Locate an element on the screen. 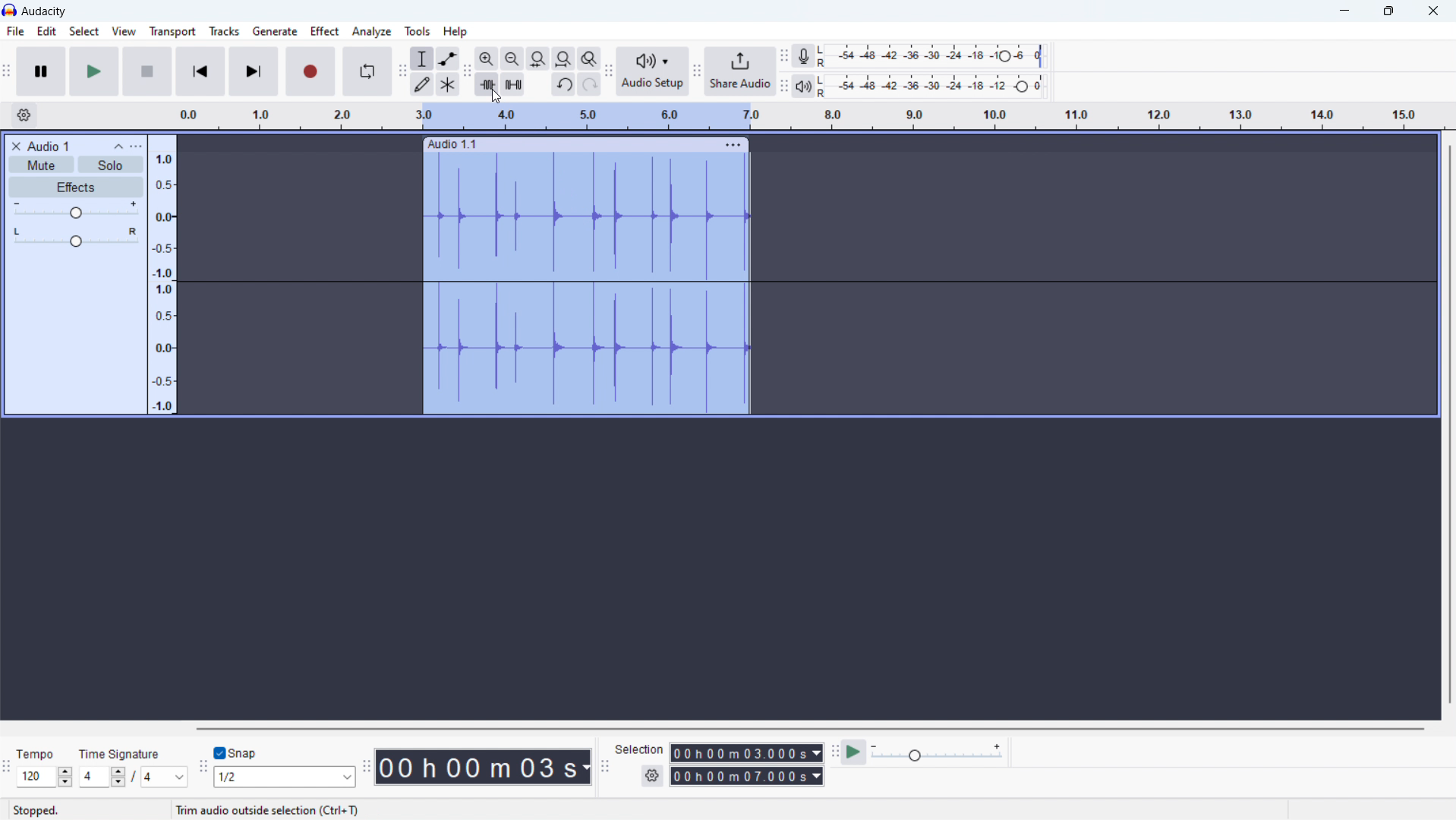  tools toolbar is located at coordinates (402, 71).